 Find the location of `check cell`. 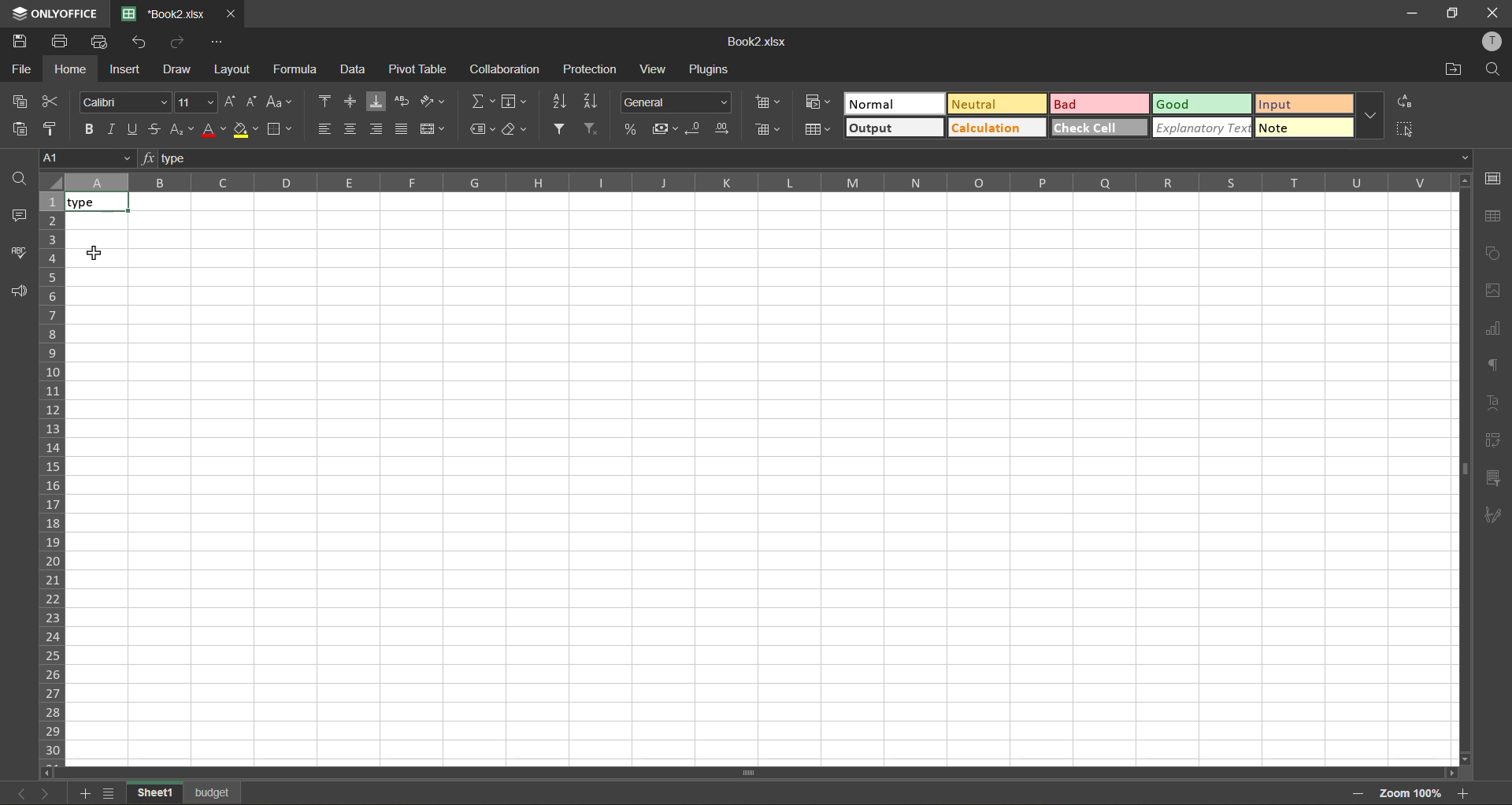

check cell is located at coordinates (1100, 129).